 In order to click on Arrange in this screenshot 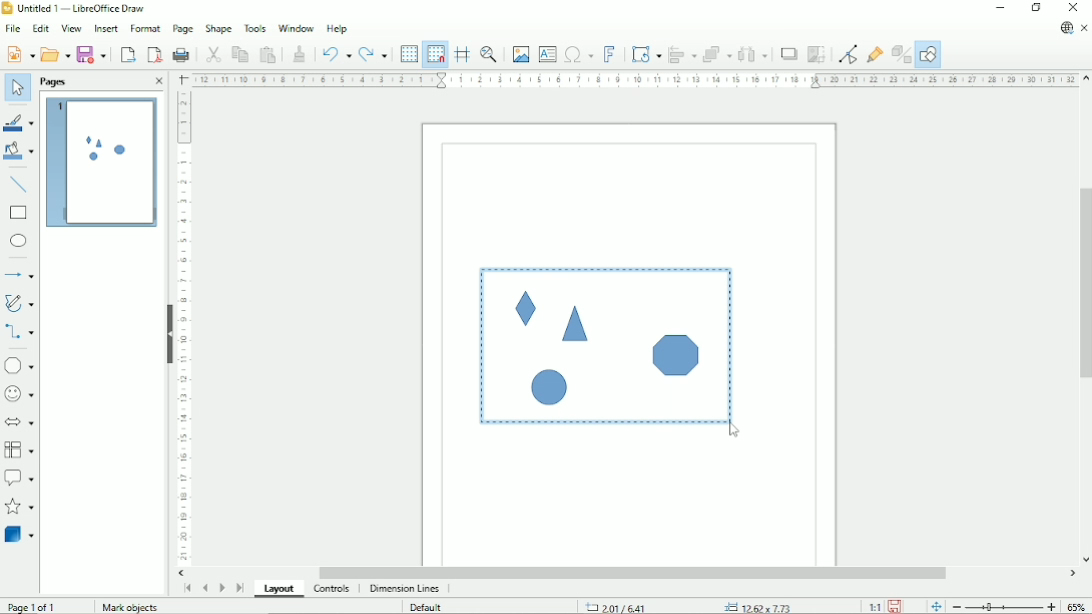, I will do `click(716, 53)`.